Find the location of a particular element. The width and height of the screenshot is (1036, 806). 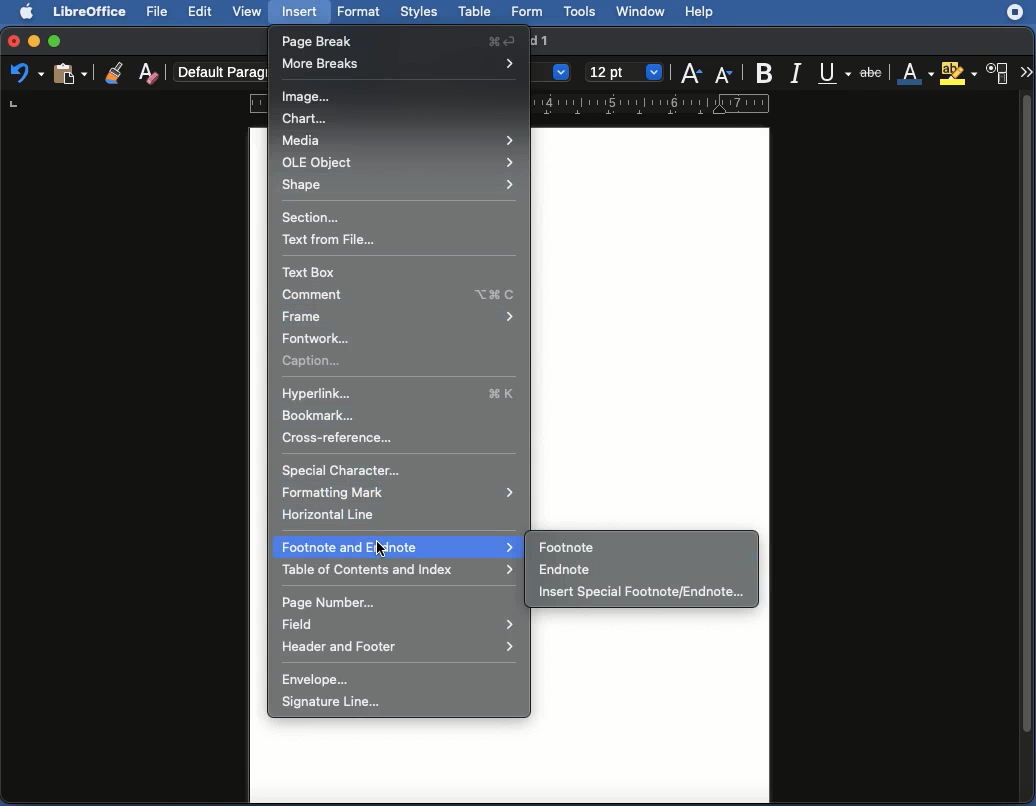

form is located at coordinates (527, 13).